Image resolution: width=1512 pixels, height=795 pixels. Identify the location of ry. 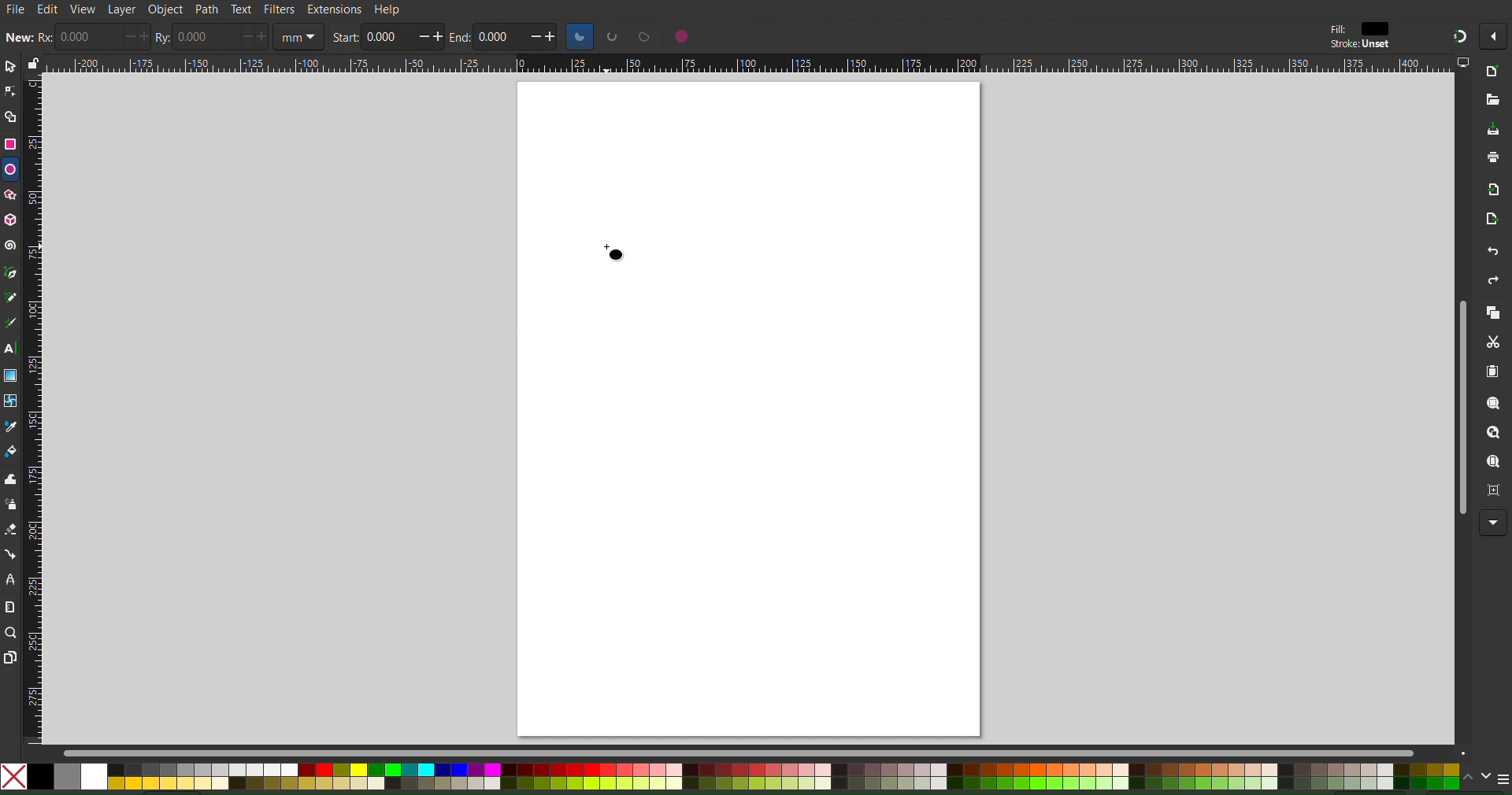
(161, 40).